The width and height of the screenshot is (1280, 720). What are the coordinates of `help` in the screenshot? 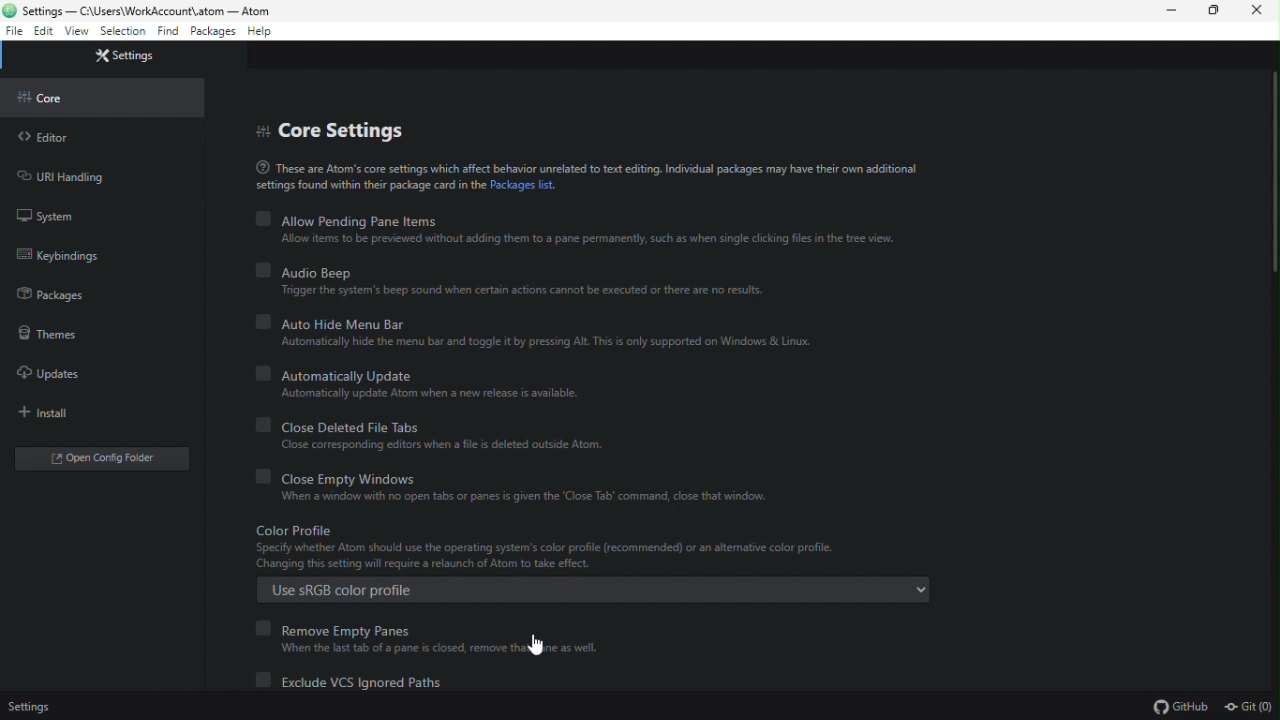 It's located at (262, 33).